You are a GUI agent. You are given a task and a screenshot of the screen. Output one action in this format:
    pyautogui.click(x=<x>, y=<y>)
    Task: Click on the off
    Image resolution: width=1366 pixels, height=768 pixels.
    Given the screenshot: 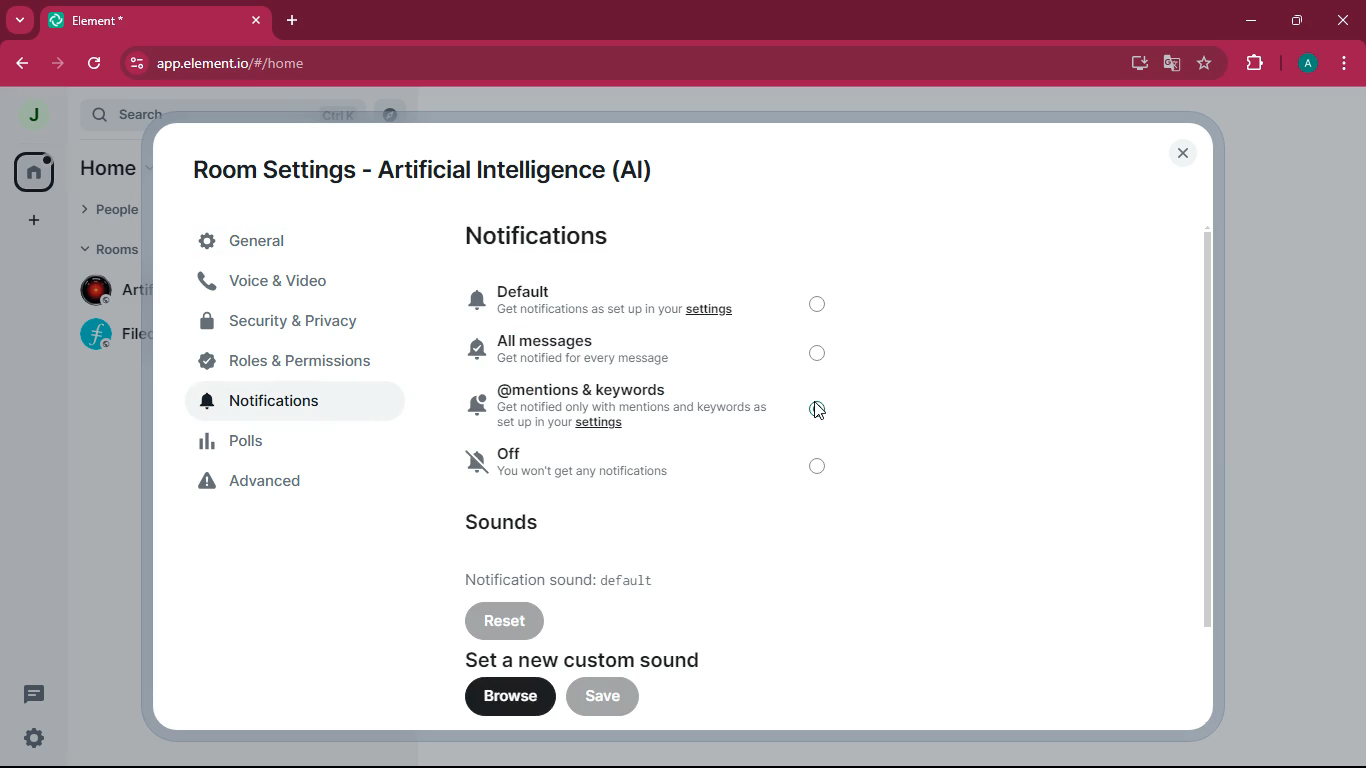 What is the action you would take?
    pyautogui.click(x=821, y=466)
    